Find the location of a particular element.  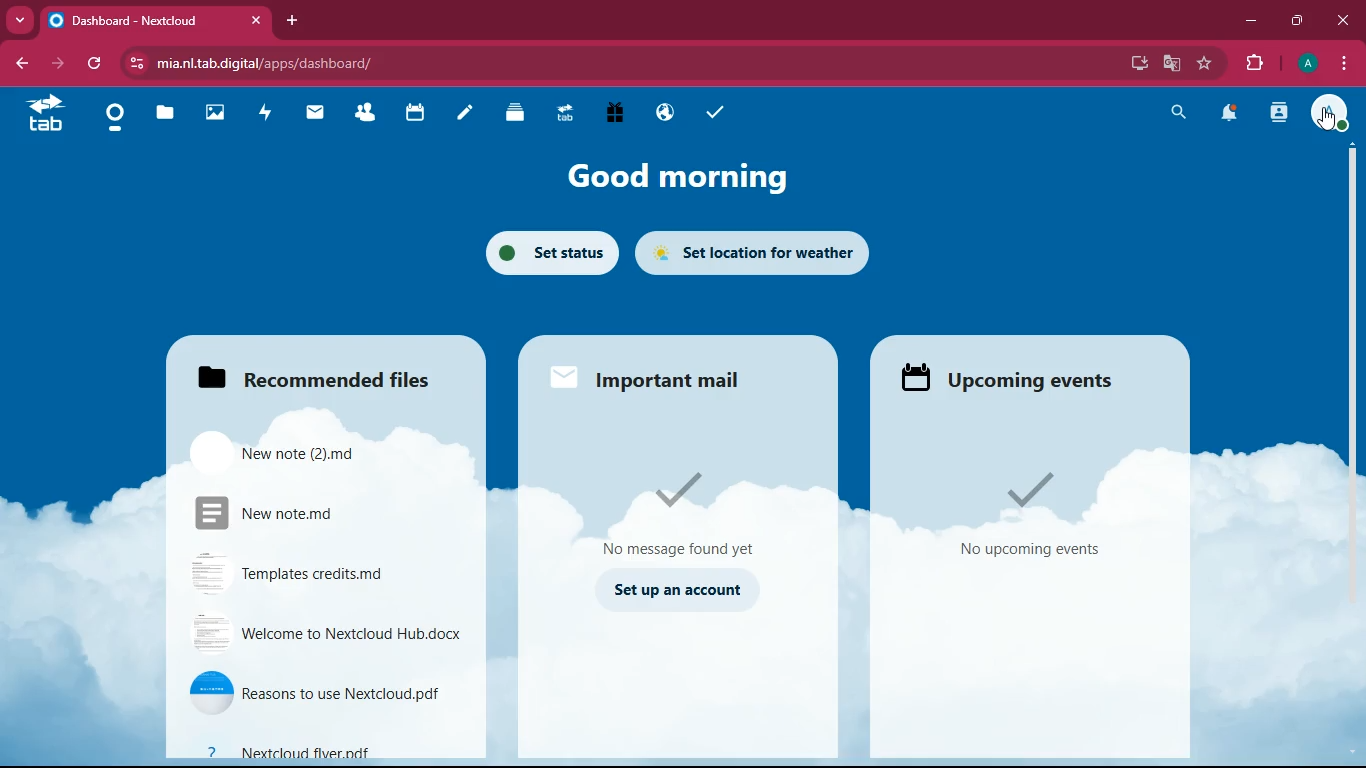

activity is located at coordinates (1278, 114).